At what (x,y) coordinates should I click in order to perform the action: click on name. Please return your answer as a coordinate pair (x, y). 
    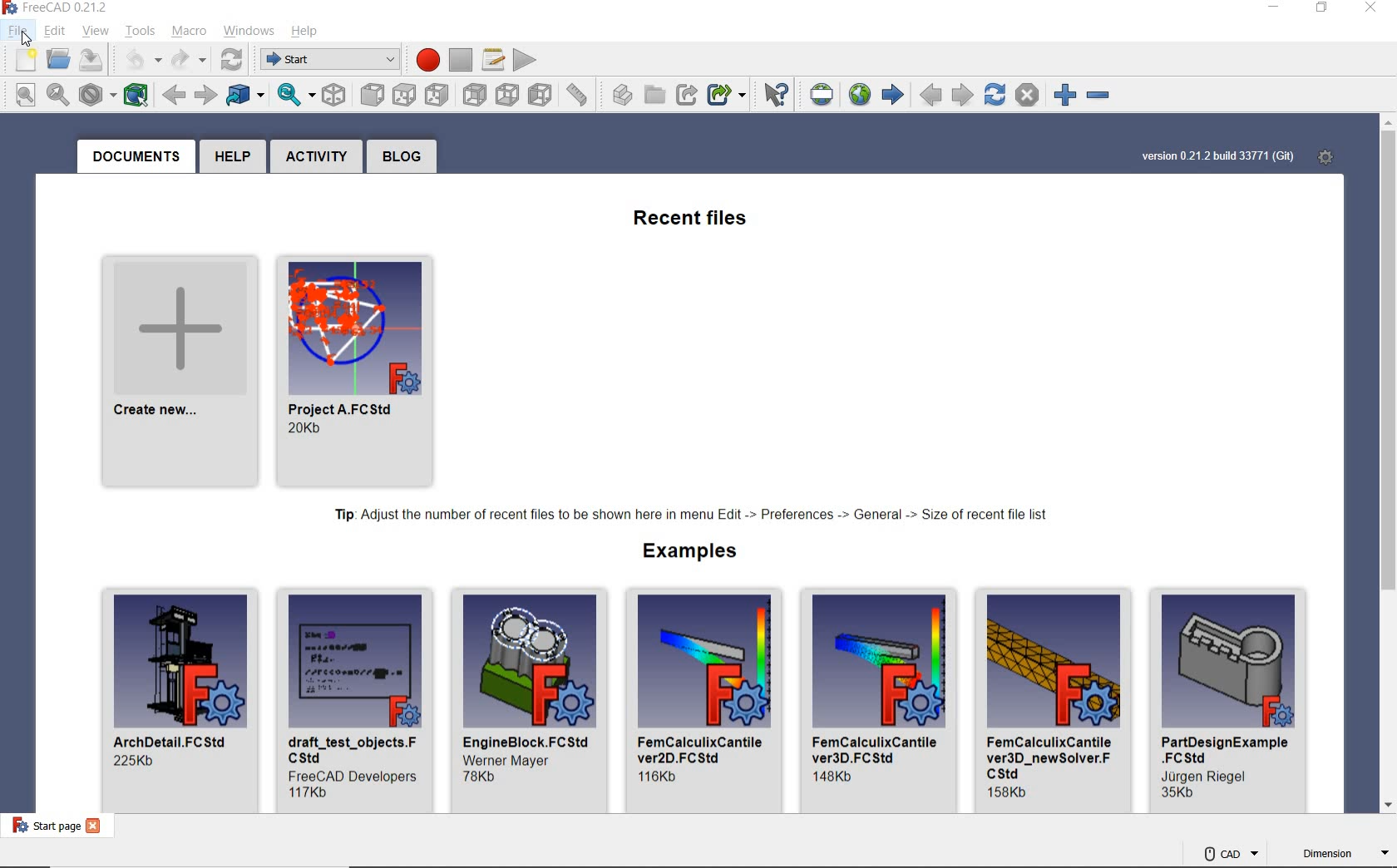
    Looking at the image, I should click on (1051, 756).